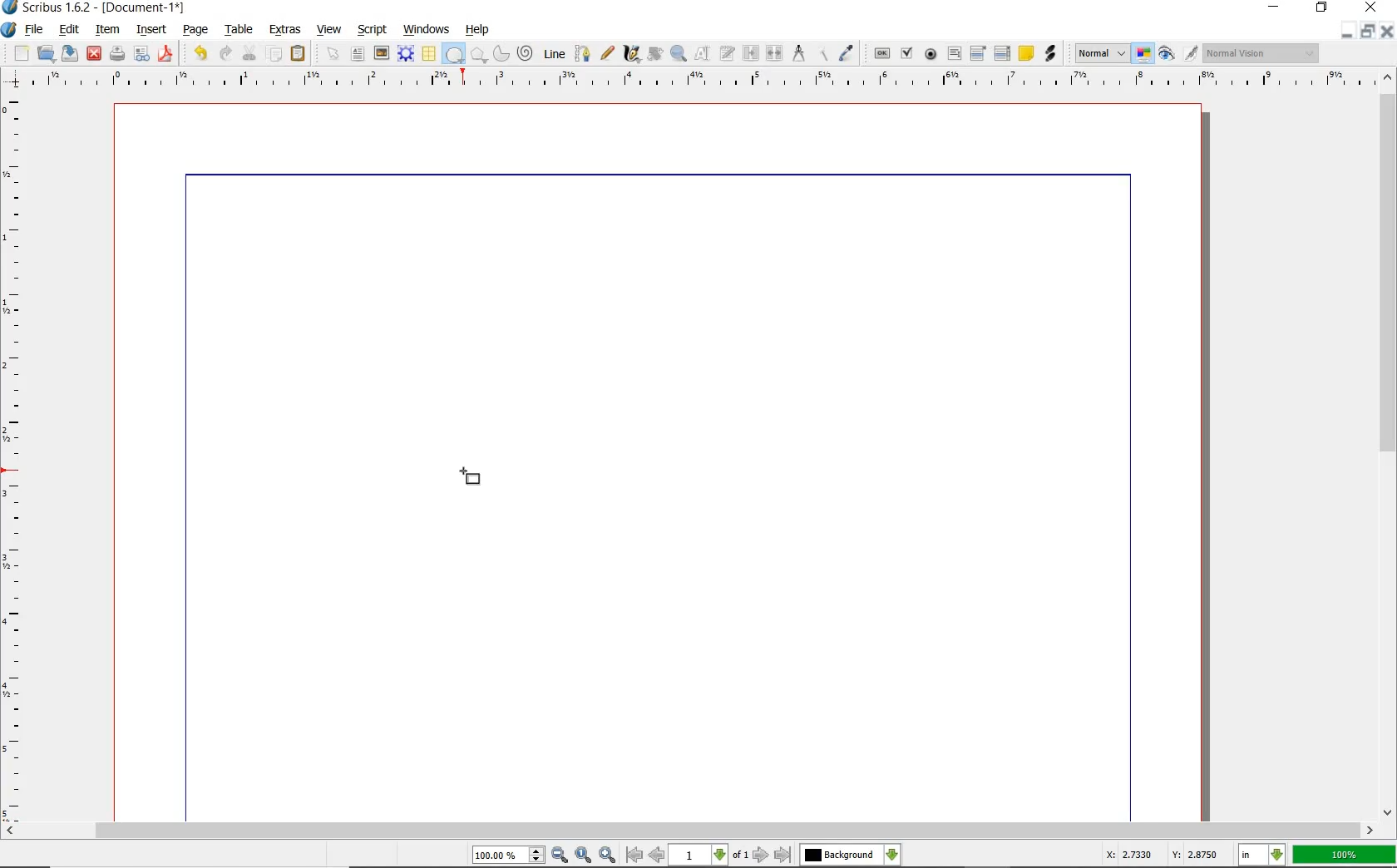  I want to click on SCRIPT, so click(370, 28).